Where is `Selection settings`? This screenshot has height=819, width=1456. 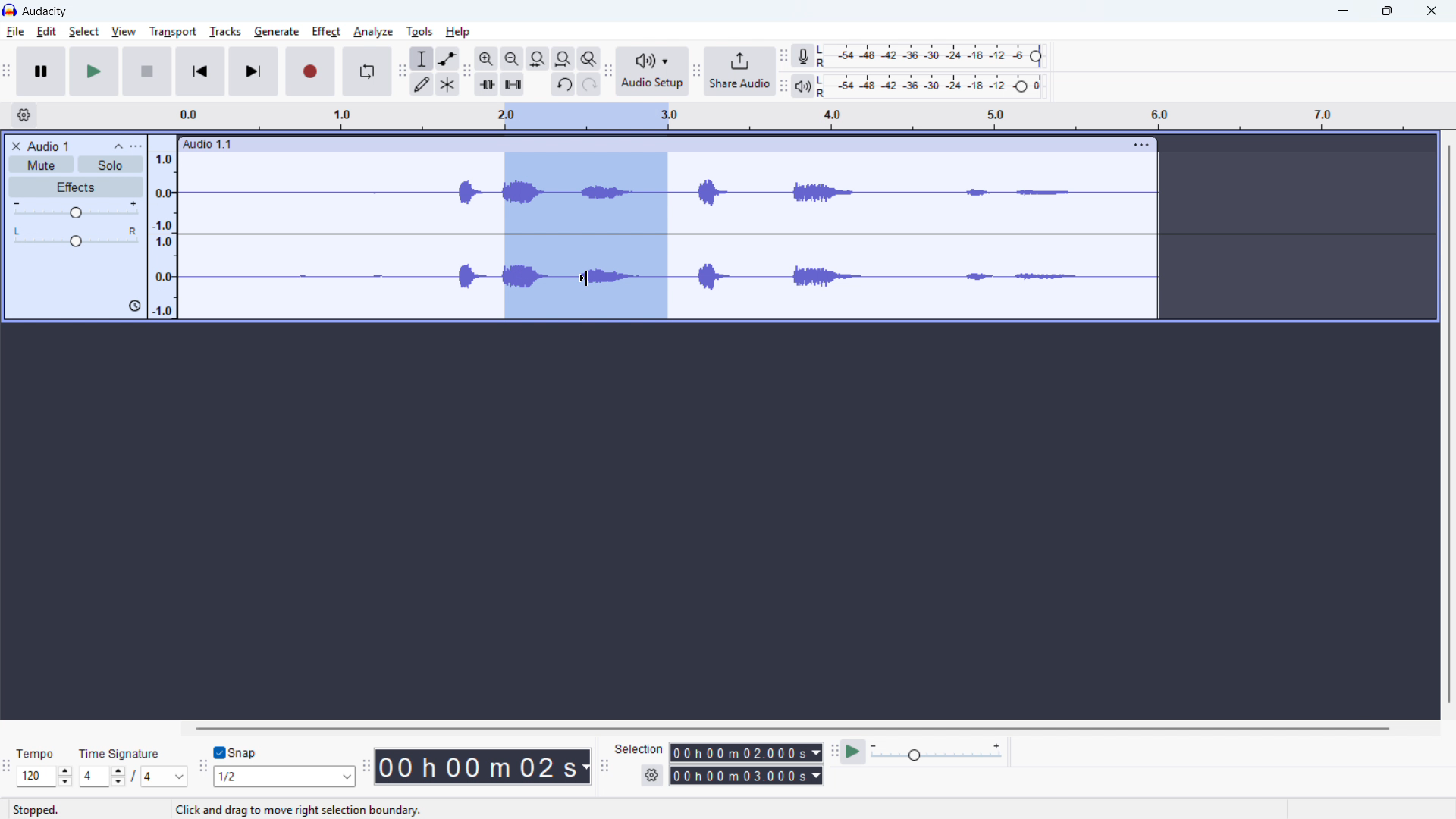 Selection settings is located at coordinates (652, 774).